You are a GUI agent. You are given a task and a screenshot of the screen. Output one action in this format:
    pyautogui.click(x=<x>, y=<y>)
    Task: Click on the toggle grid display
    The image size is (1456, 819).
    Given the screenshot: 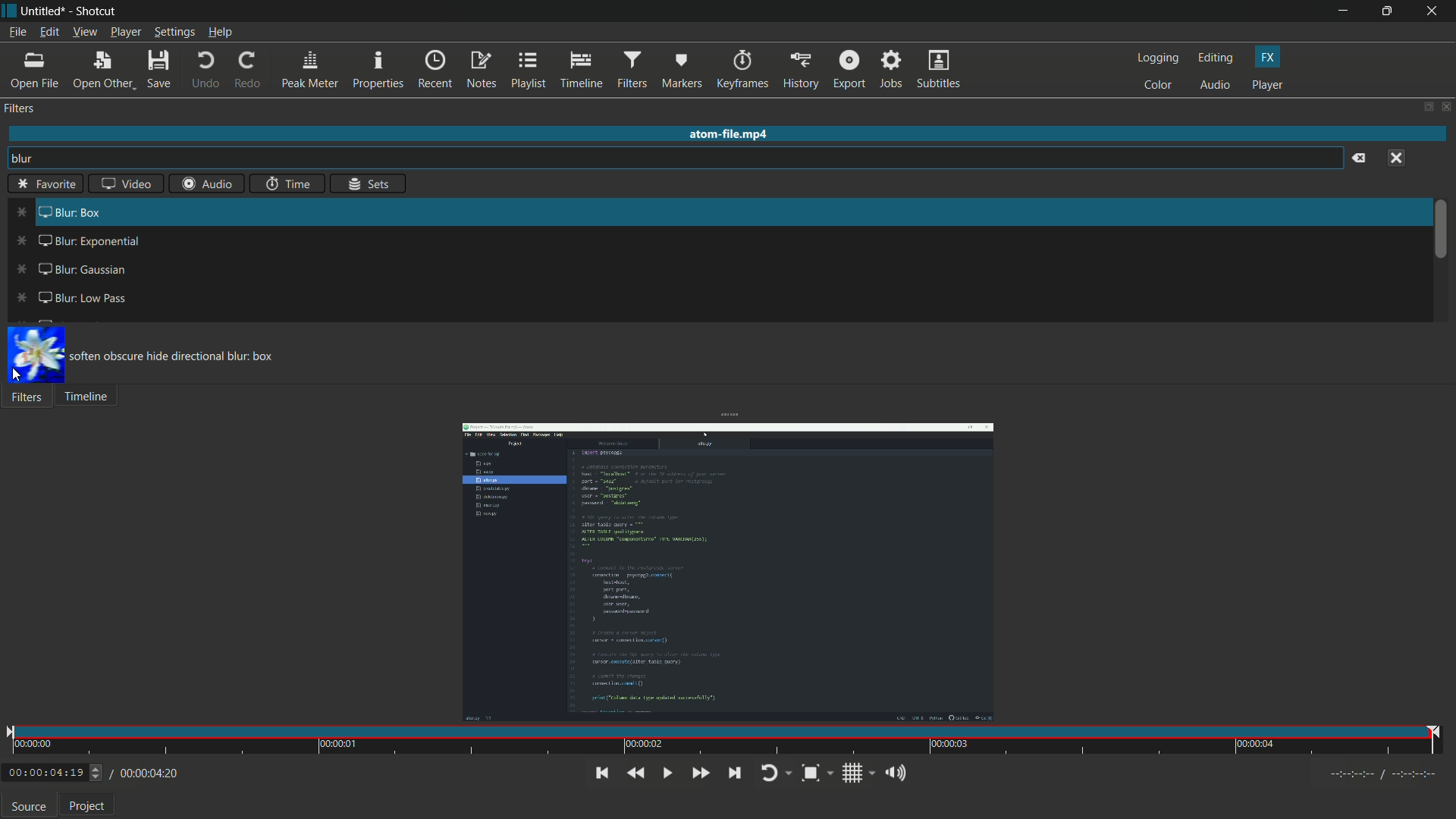 What is the action you would take?
    pyautogui.click(x=859, y=775)
    